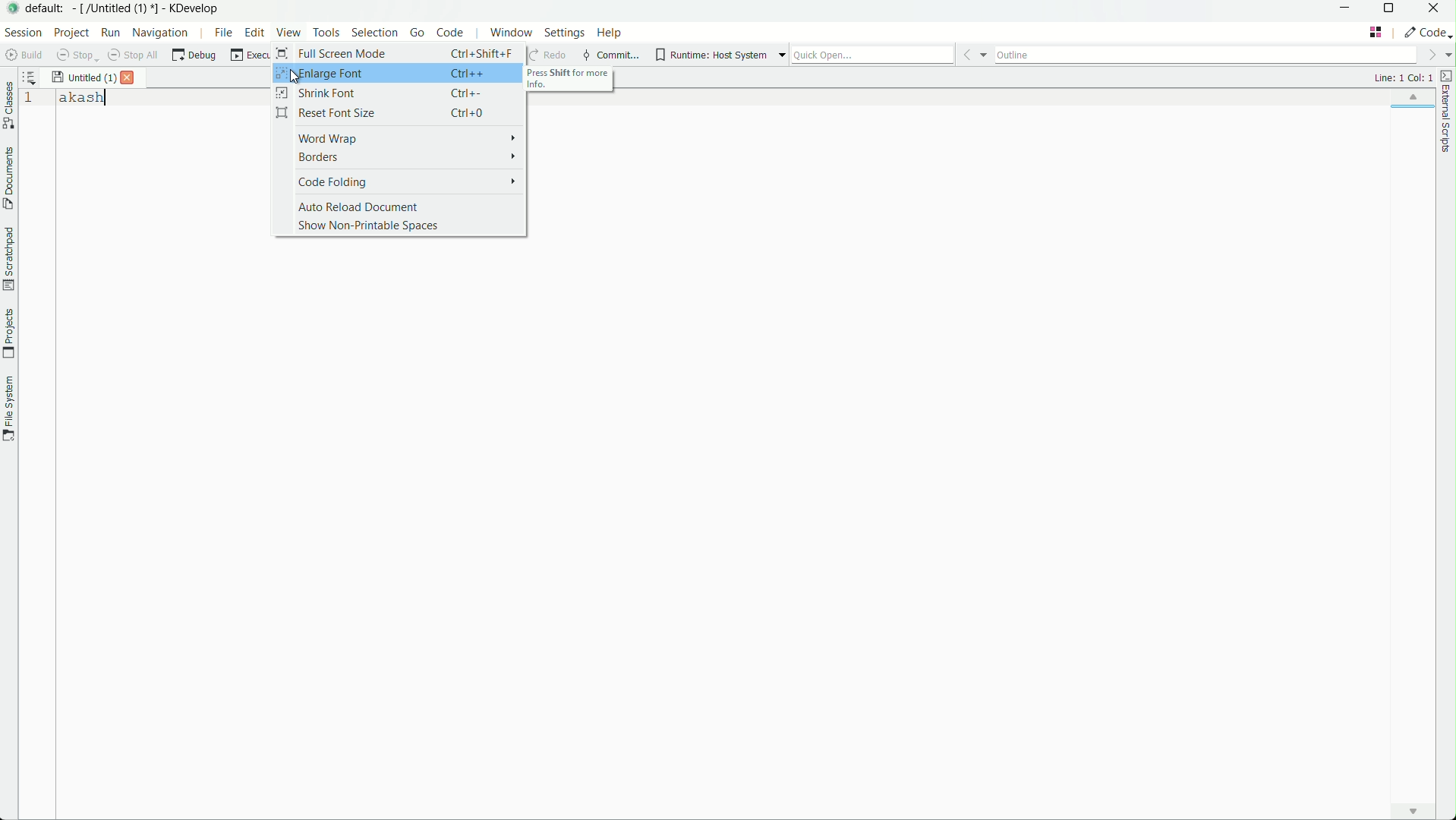 The width and height of the screenshot is (1456, 820). Describe the element at coordinates (612, 55) in the screenshot. I see `commit` at that location.